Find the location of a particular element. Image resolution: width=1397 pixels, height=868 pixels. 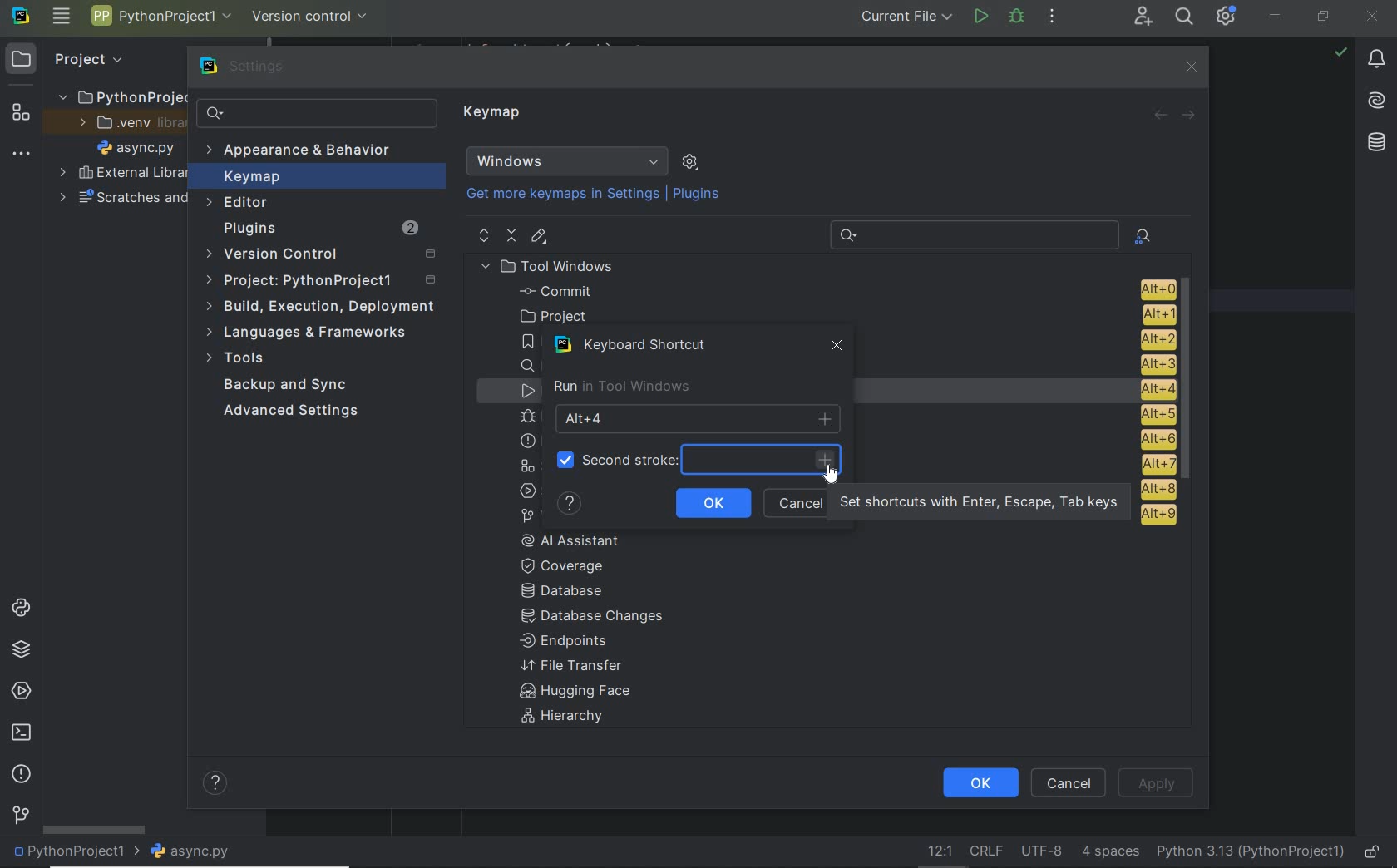

Hugging face is located at coordinates (570, 693).